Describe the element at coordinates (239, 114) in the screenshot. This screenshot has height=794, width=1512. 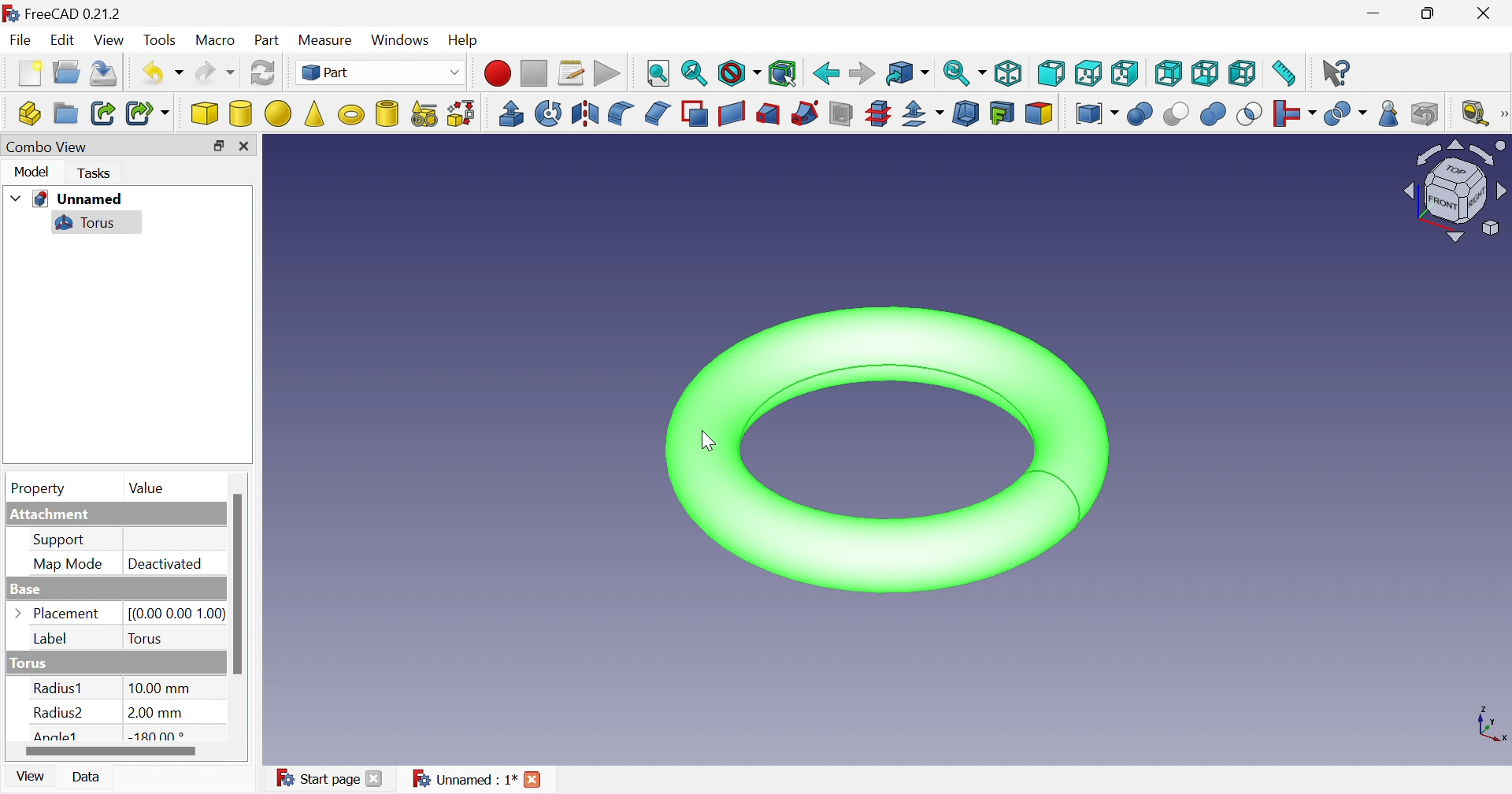
I see `Cylinder` at that location.